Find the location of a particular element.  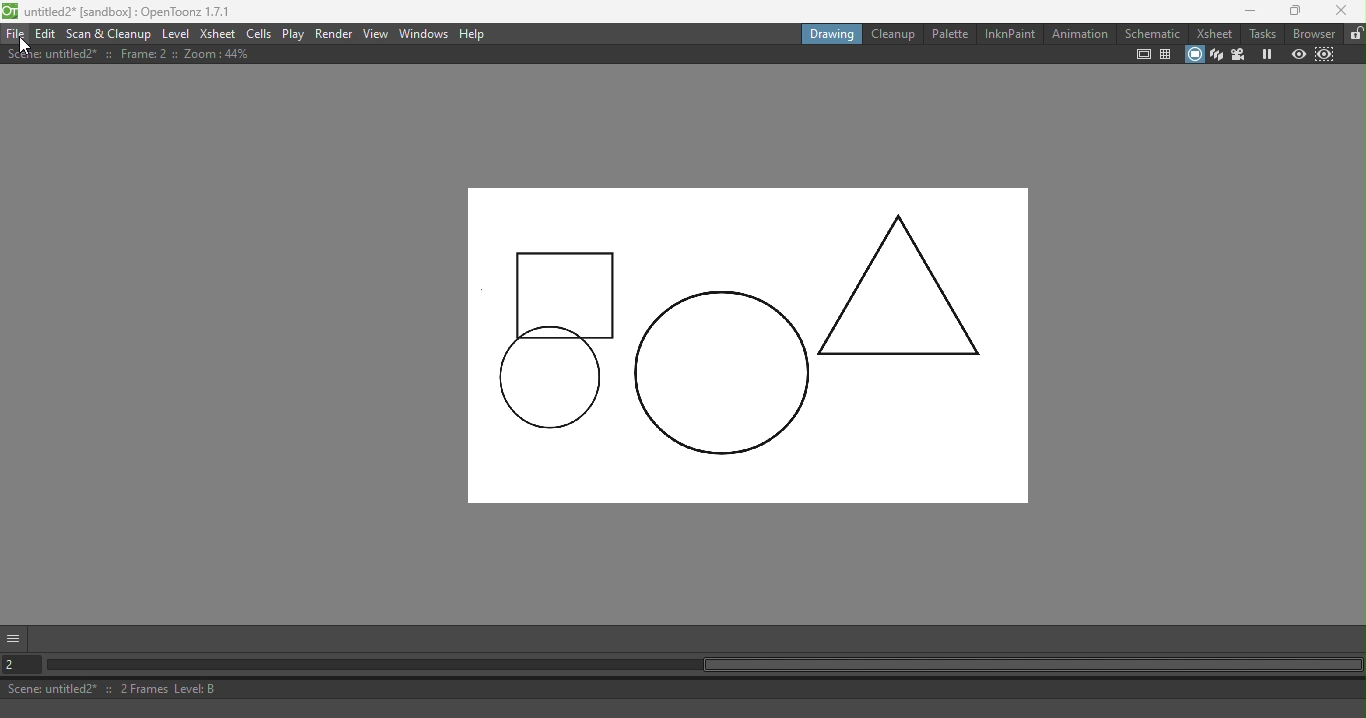

Scene: untitled2* :: Frame: 2 i: Zoom: 44% is located at coordinates (129, 54).